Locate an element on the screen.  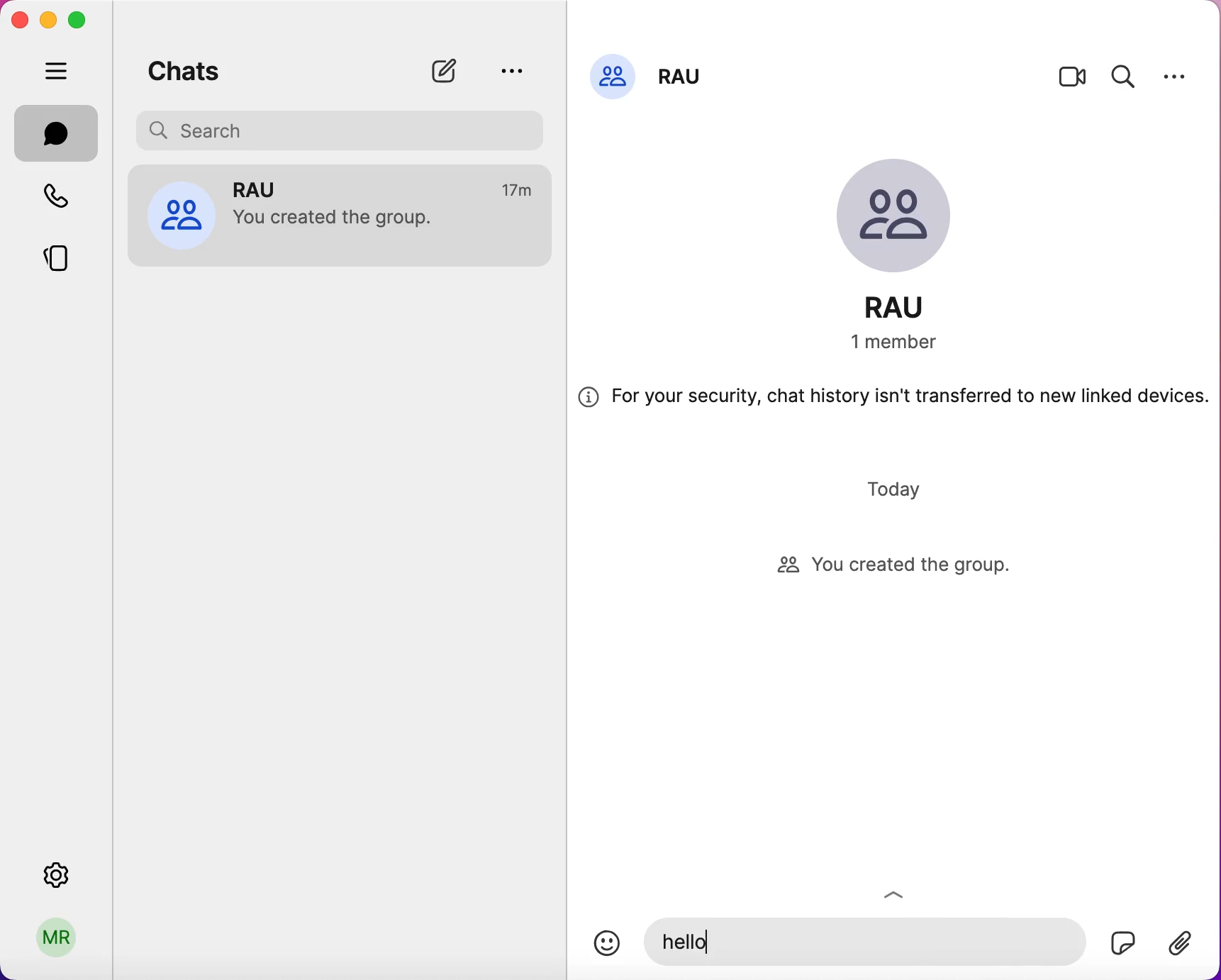
write is located at coordinates (451, 71).